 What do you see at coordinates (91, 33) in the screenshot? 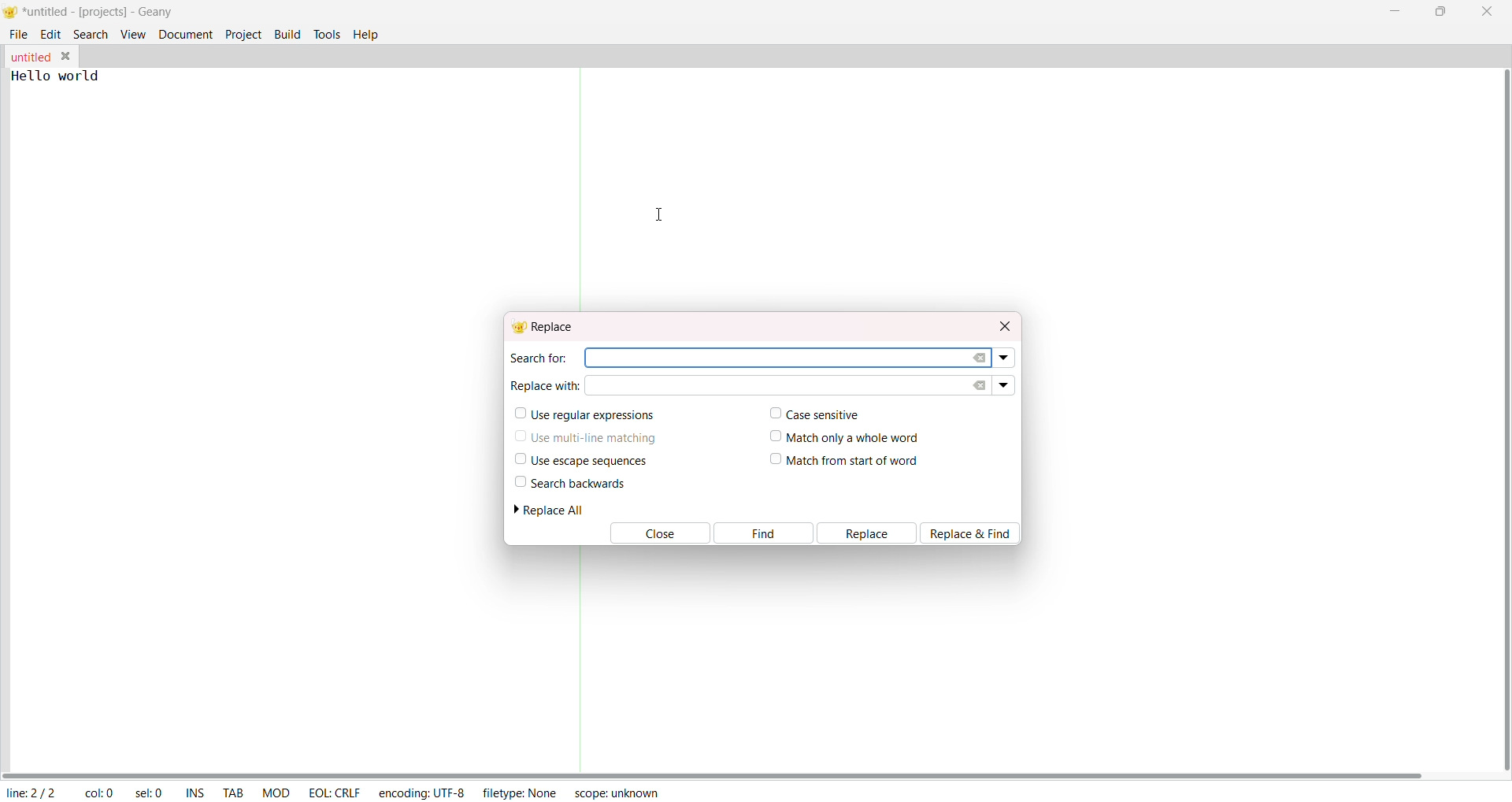
I see `search` at bounding box center [91, 33].